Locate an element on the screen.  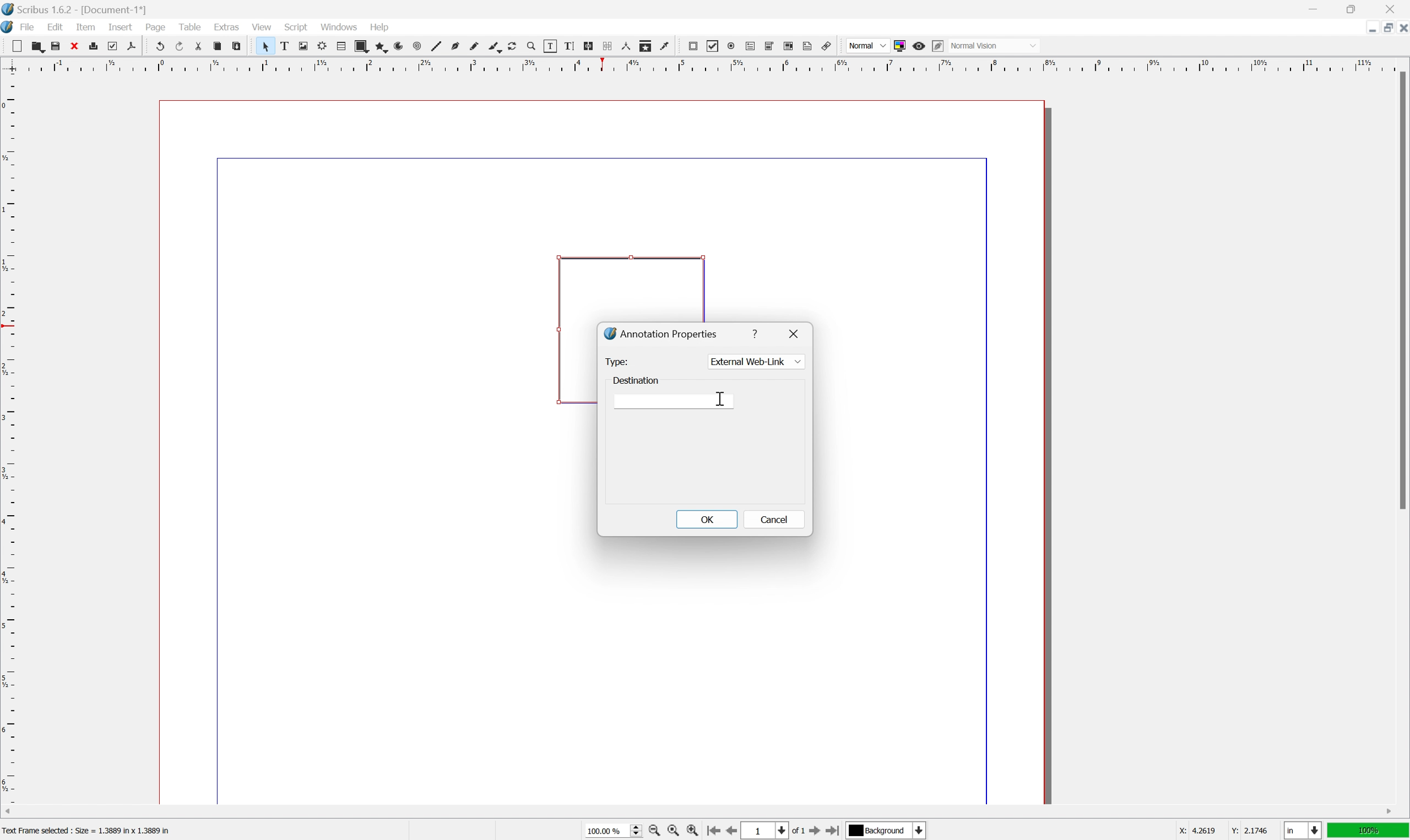
ruler is located at coordinates (703, 65).